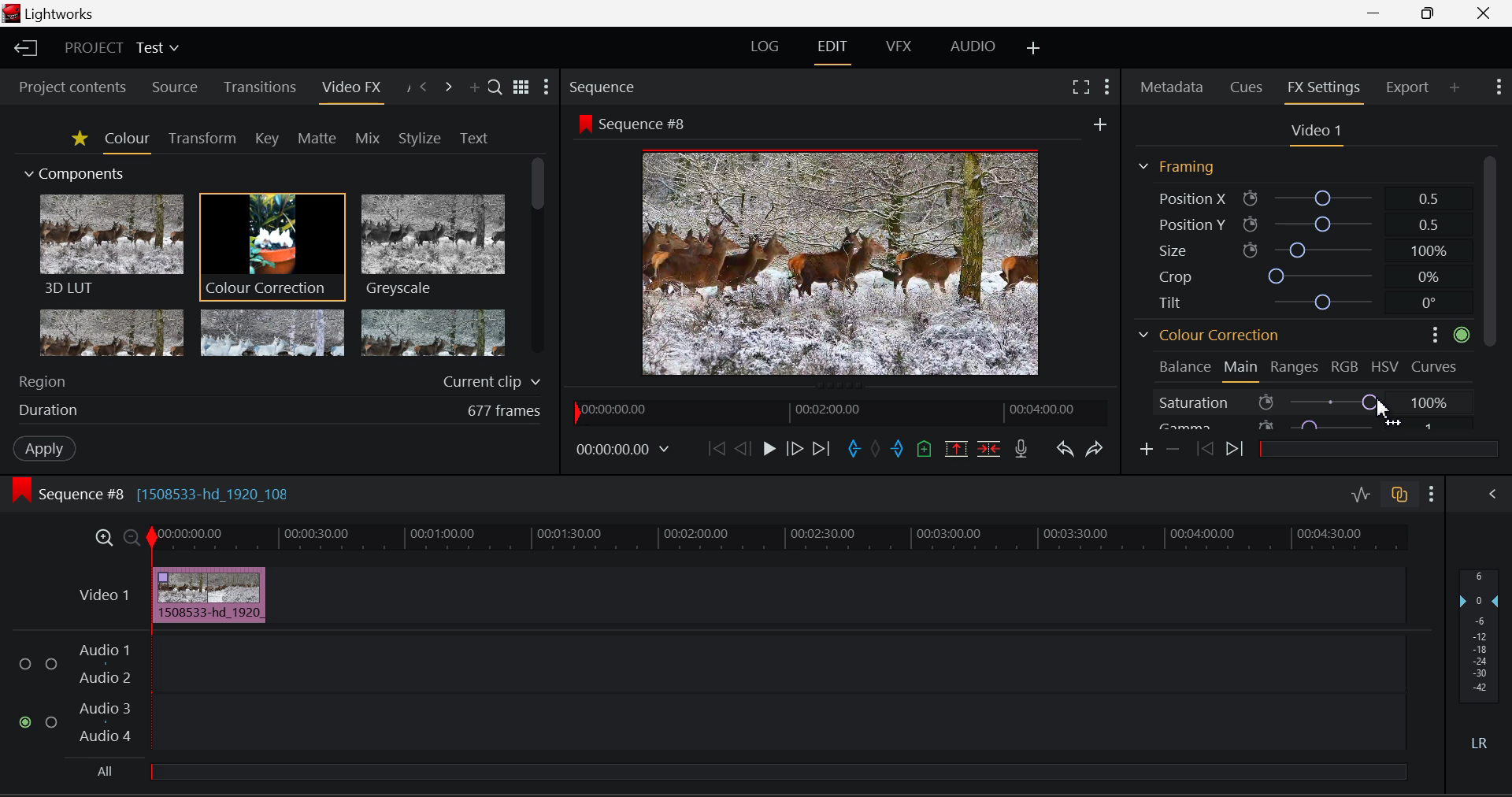  What do you see at coordinates (1296, 250) in the screenshot?
I see `Size` at bounding box center [1296, 250].